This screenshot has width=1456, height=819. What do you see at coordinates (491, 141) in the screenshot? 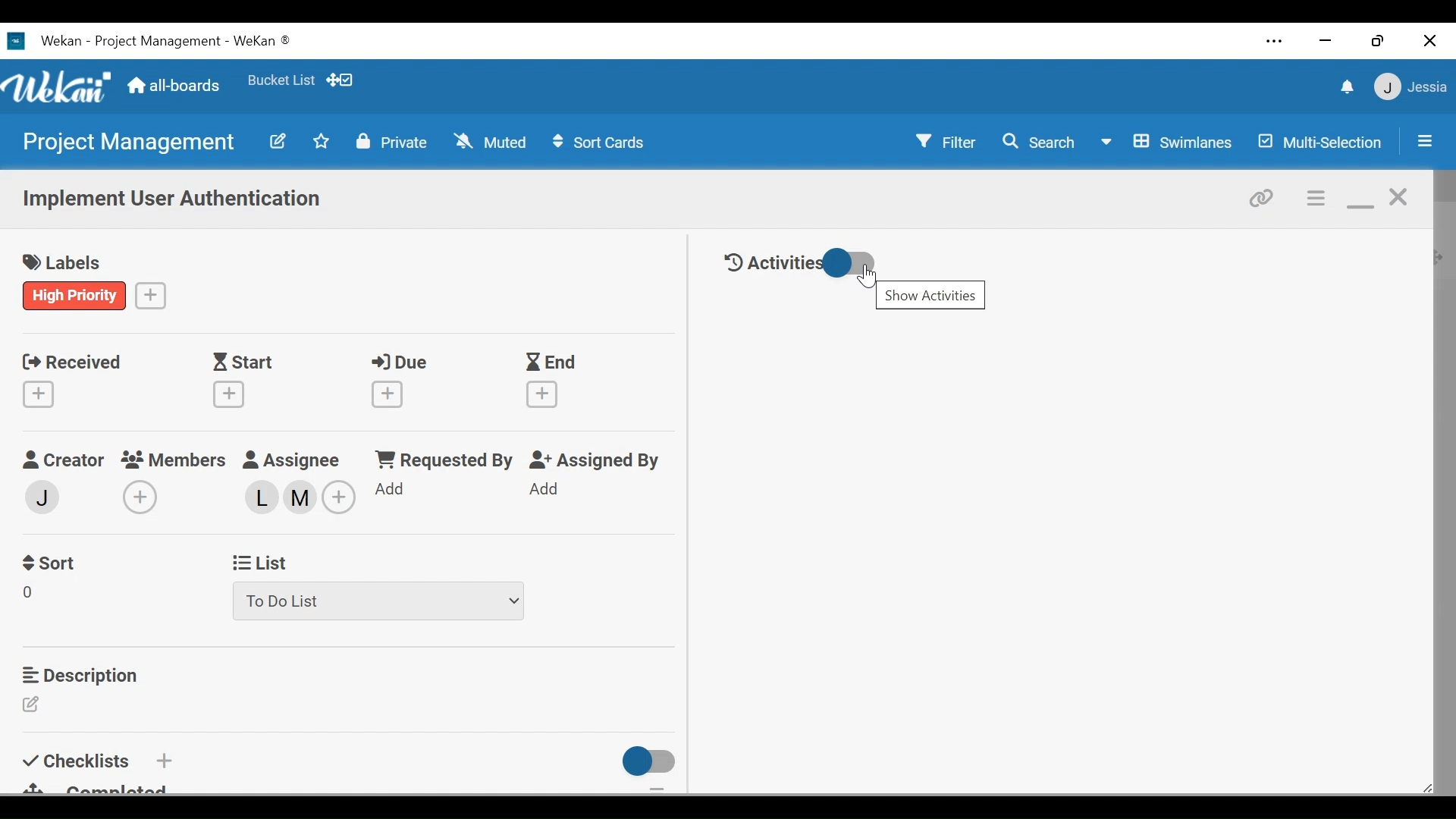
I see `Muted` at bounding box center [491, 141].